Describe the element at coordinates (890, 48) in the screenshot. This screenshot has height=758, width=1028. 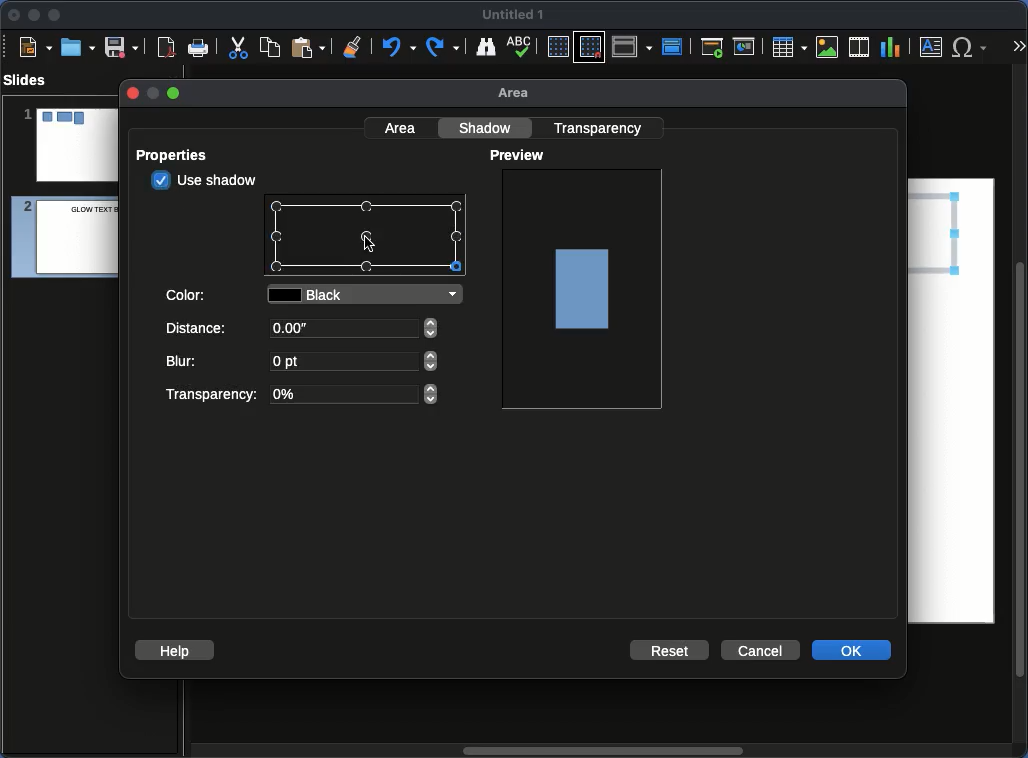
I see `Chart` at that location.